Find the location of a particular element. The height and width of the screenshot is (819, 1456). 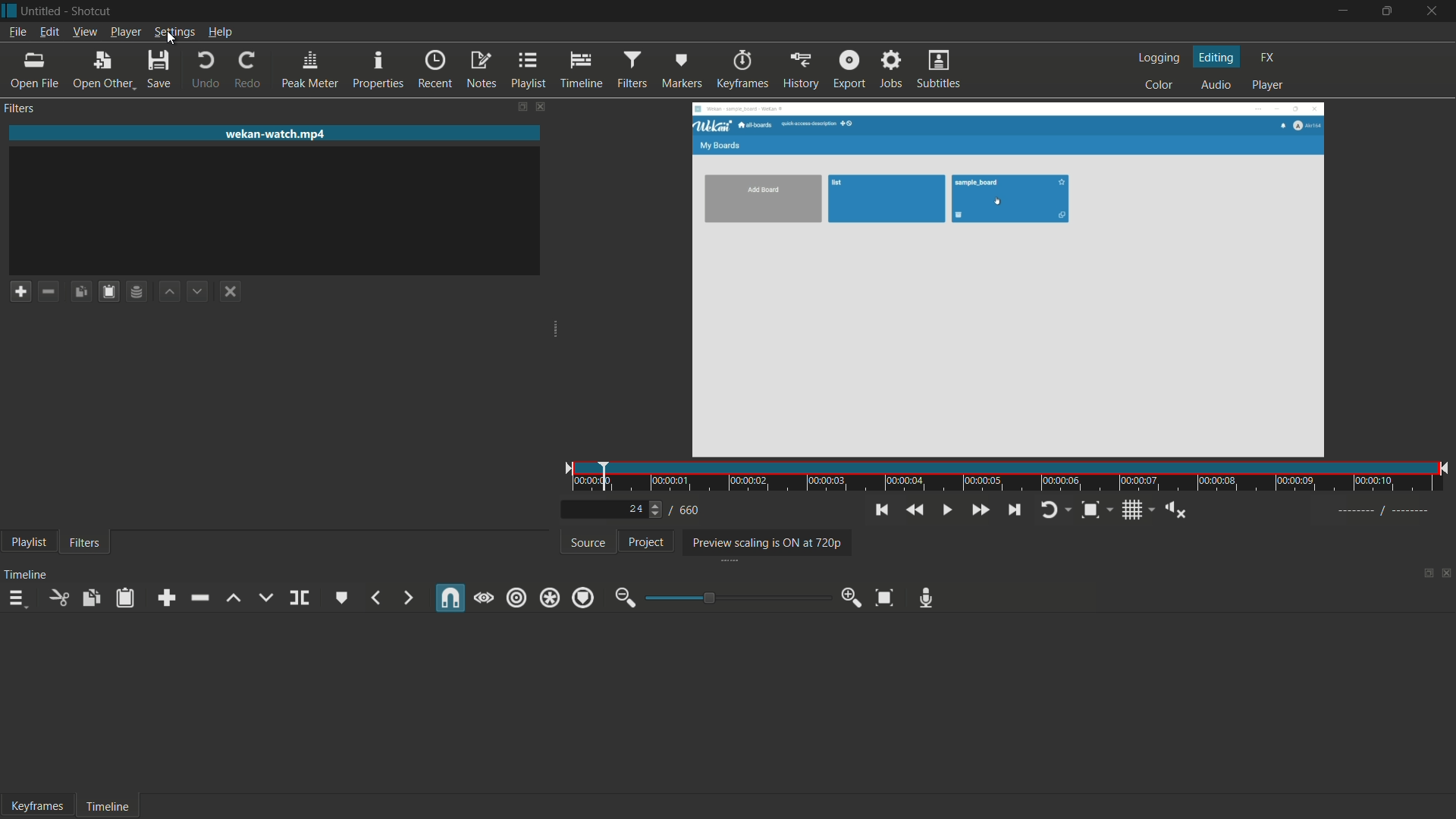

filters is located at coordinates (632, 69).